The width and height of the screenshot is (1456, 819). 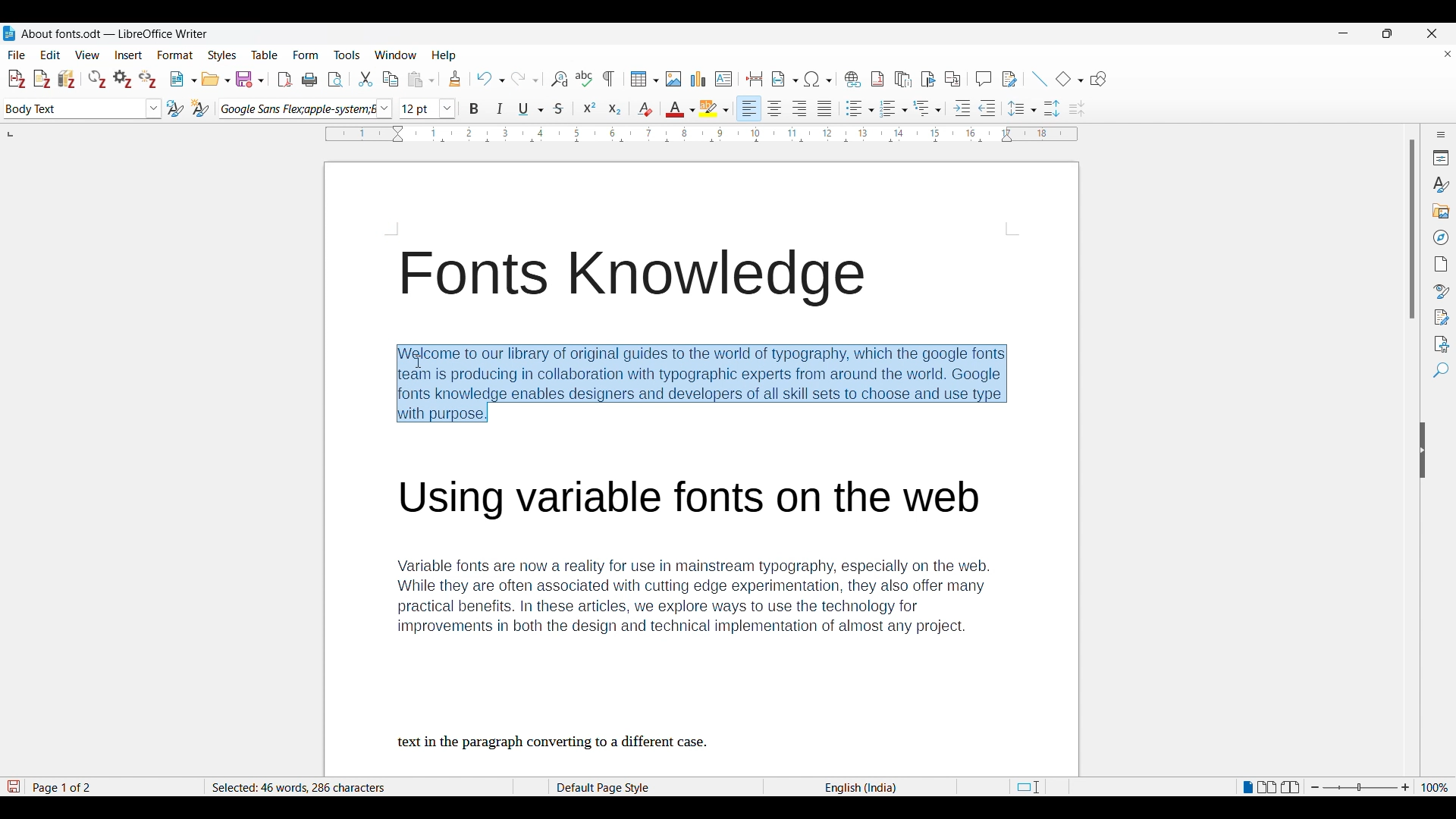 What do you see at coordinates (1247, 787) in the screenshot?
I see `Single page view` at bounding box center [1247, 787].